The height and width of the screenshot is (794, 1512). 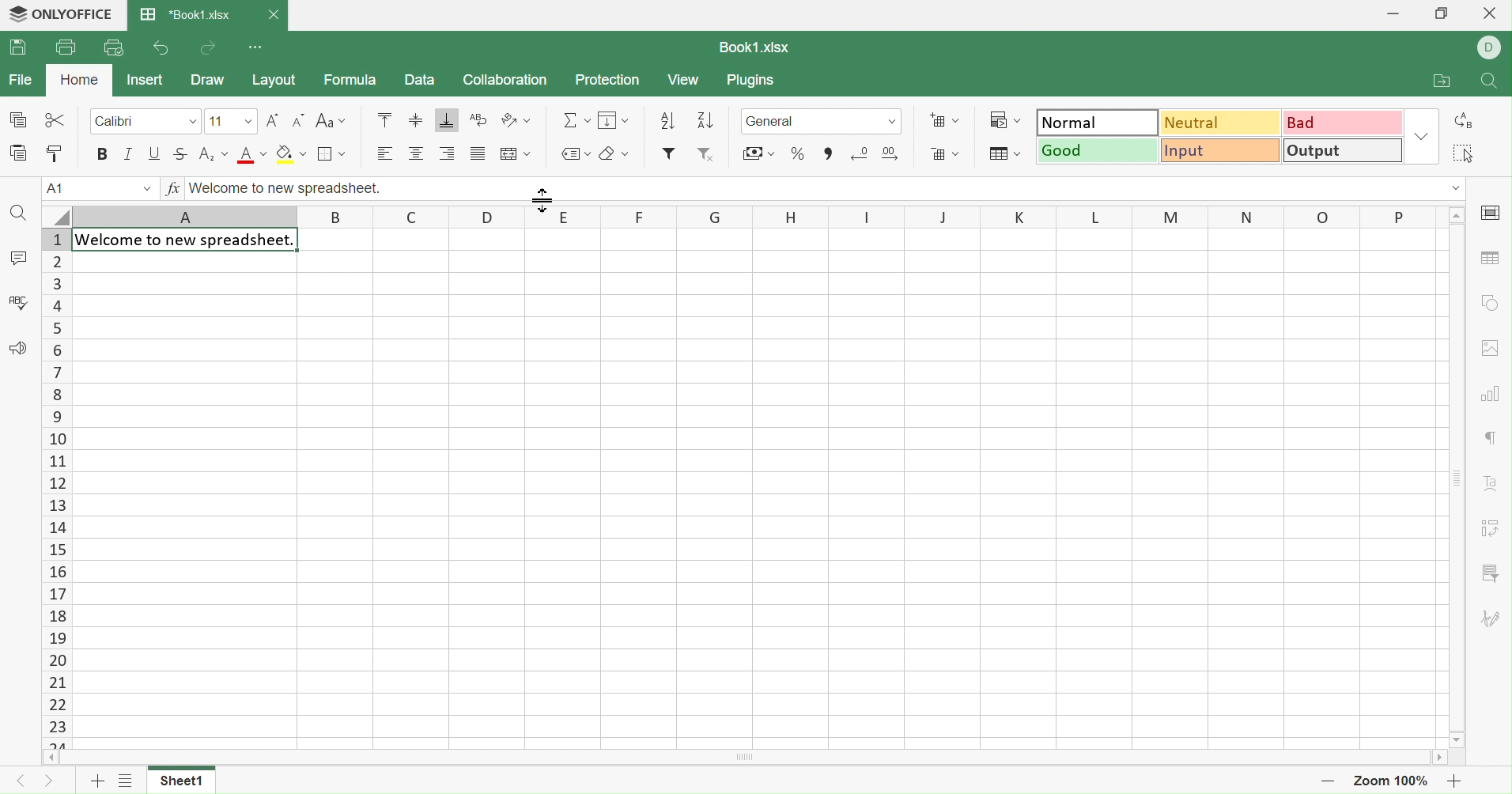 What do you see at coordinates (57, 489) in the screenshot?
I see `Row Numbers` at bounding box center [57, 489].